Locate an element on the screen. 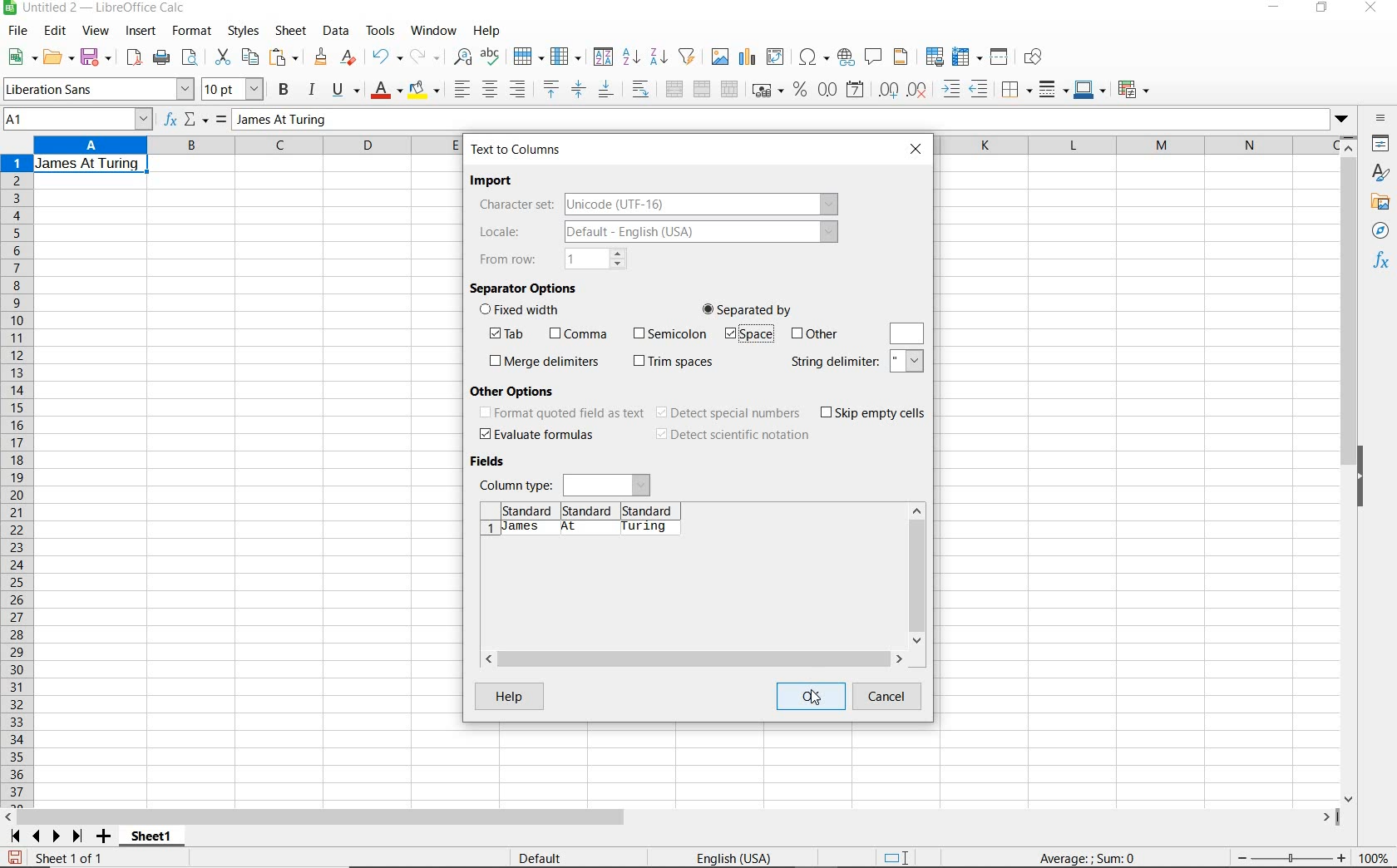 The height and width of the screenshot is (868, 1397). view is located at coordinates (96, 31).